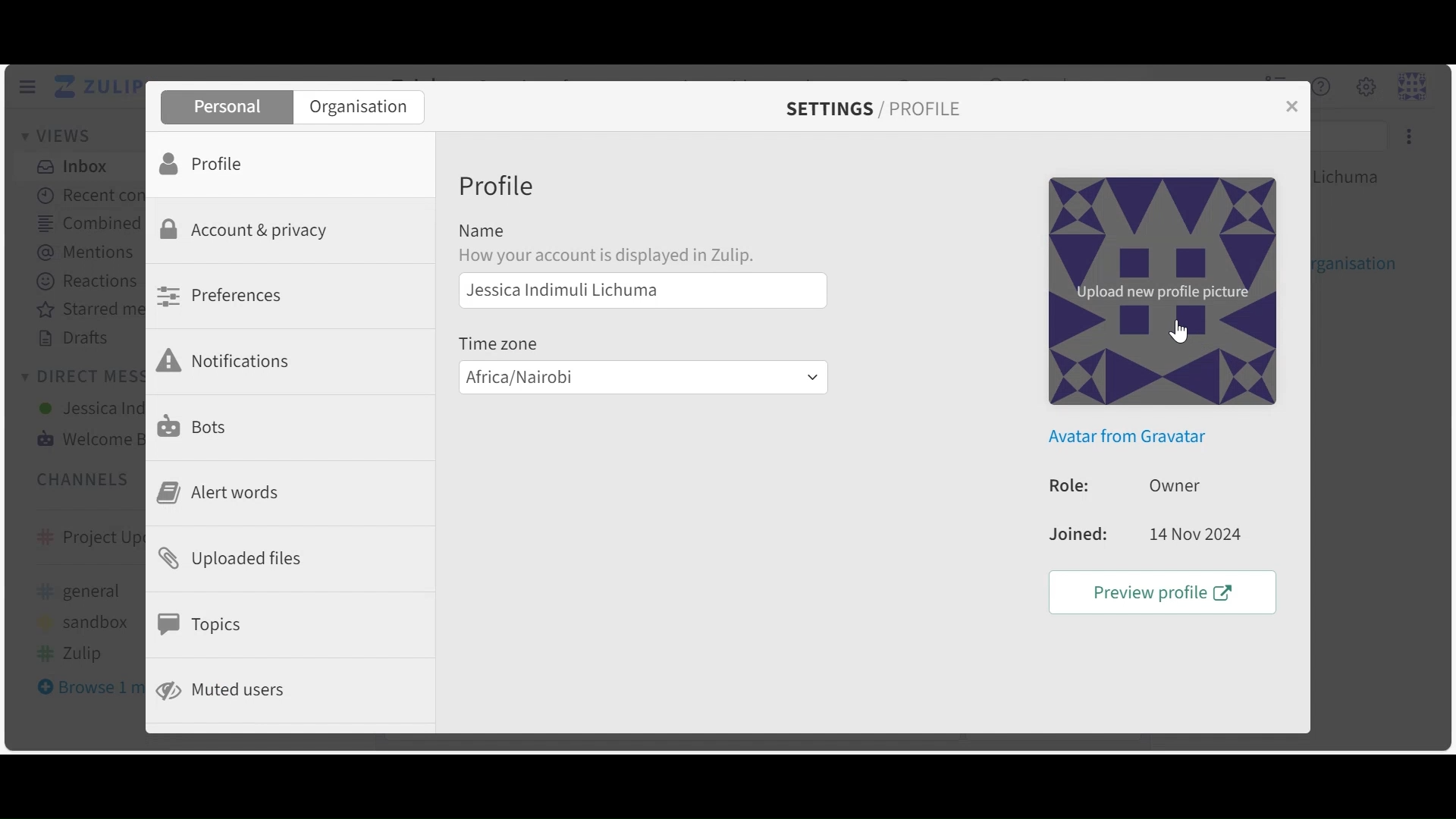  I want to click on Upload new profile picture, so click(1164, 291).